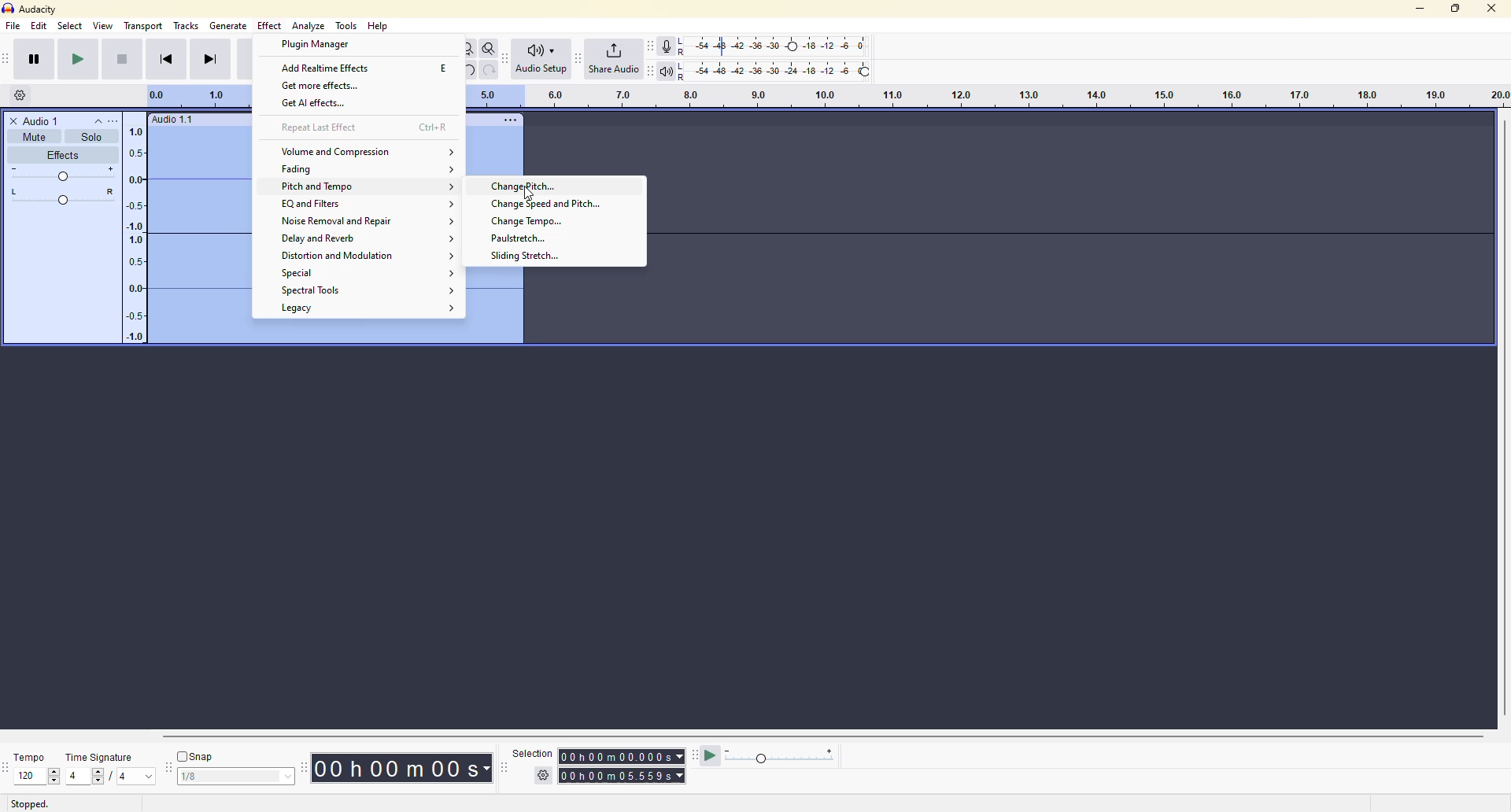  Describe the element at coordinates (122, 119) in the screenshot. I see `more` at that location.